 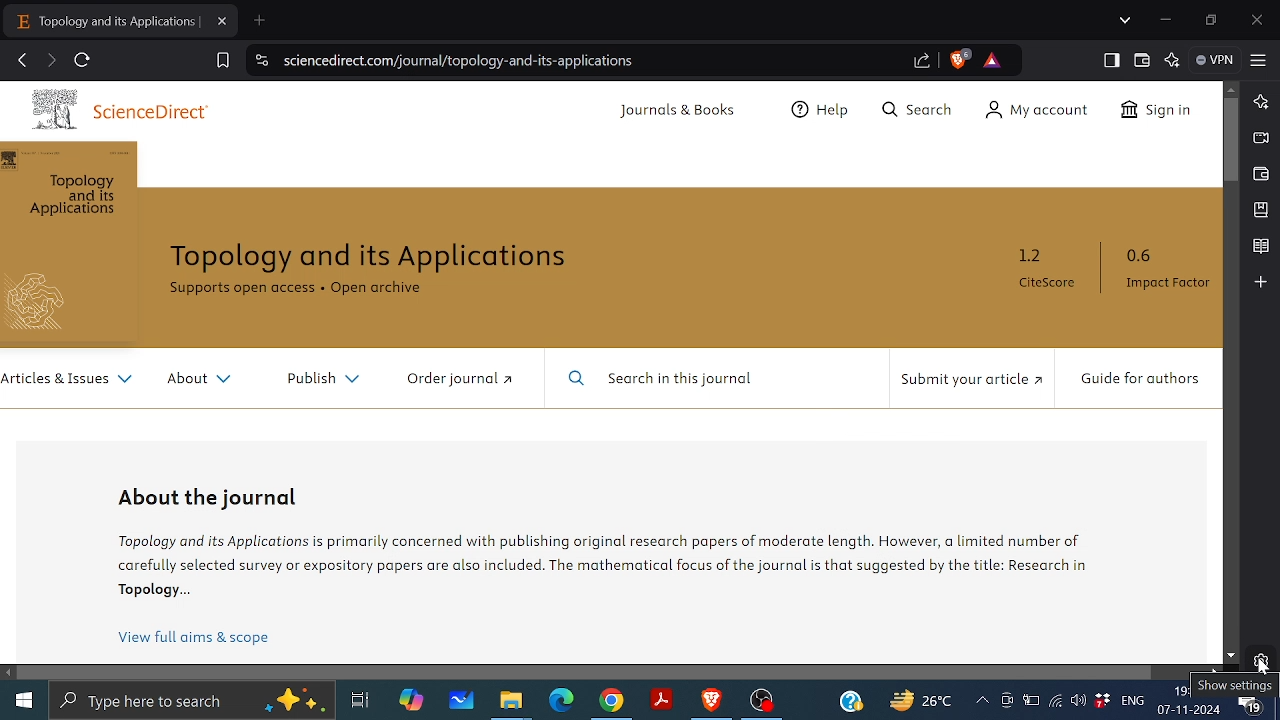 I want to click on view site information, so click(x=260, y=59).